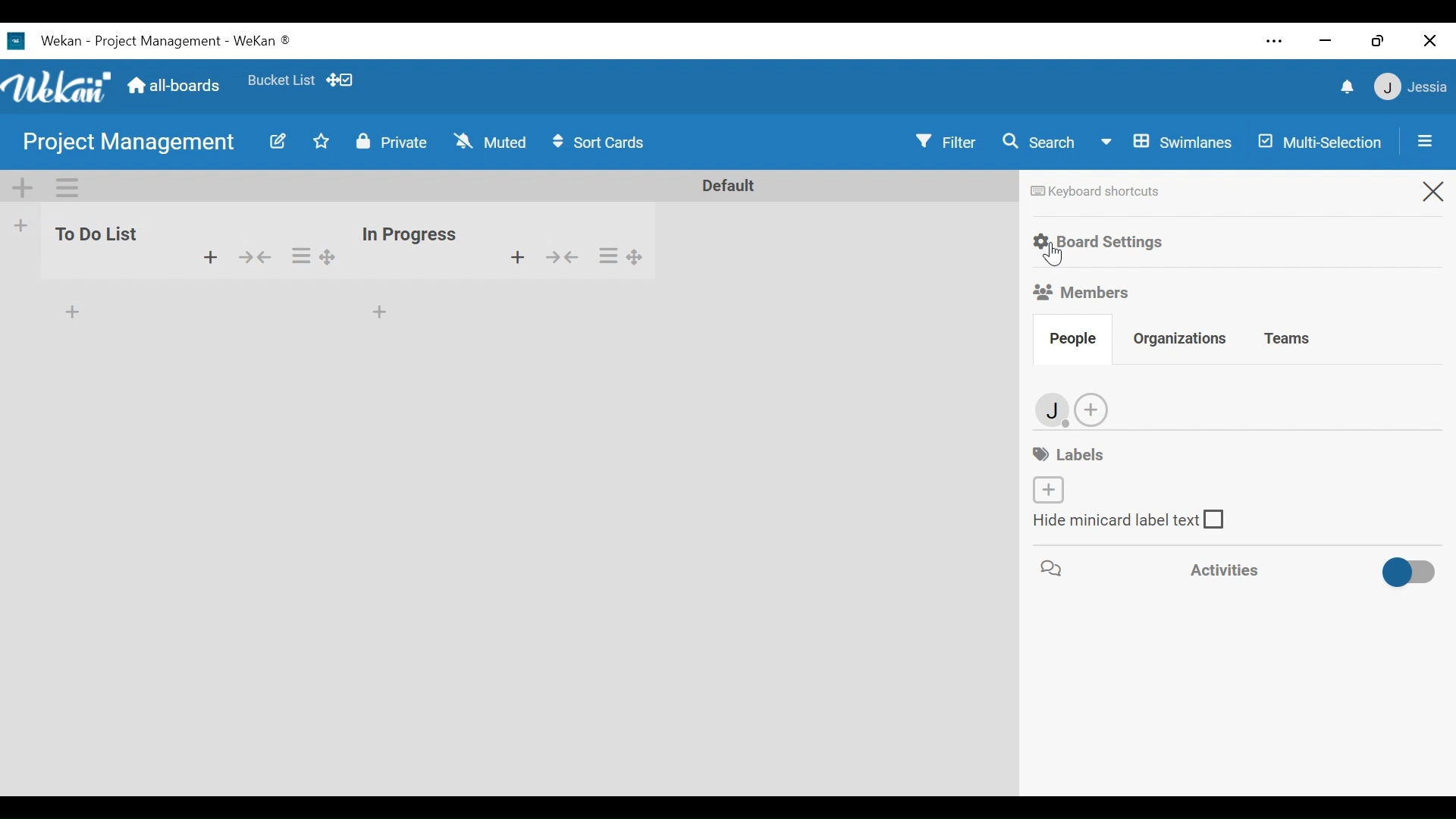 The width and height of the screenshot is (1456, 819). What do you see at coordinates (1430, 192) in the screenshot?
I see `Close` at bounding box center [1430, 192].